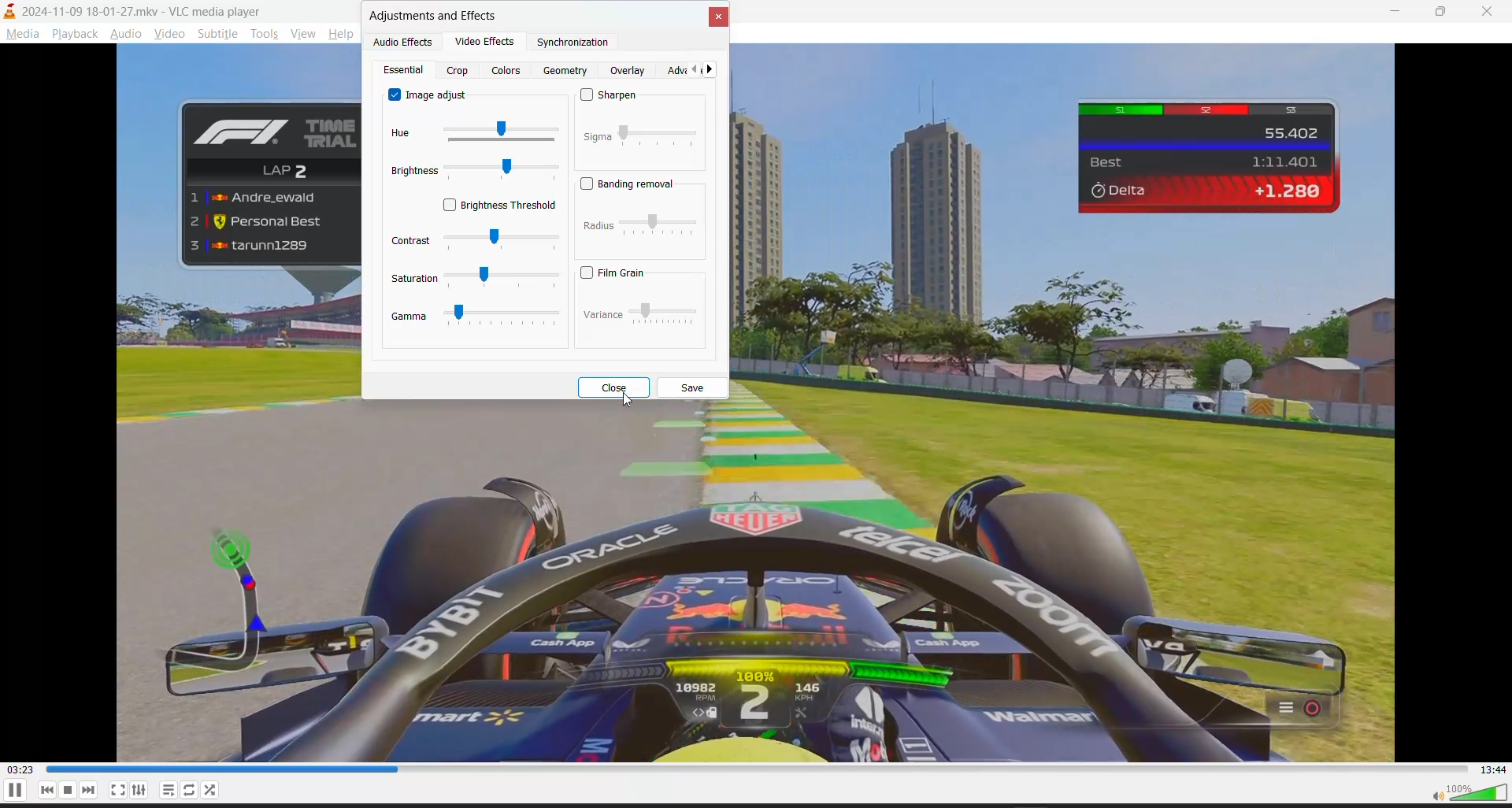 Image resolution: width=1512 pixels, height=808 pixels. I want to click on film grain, so click(611, 272).